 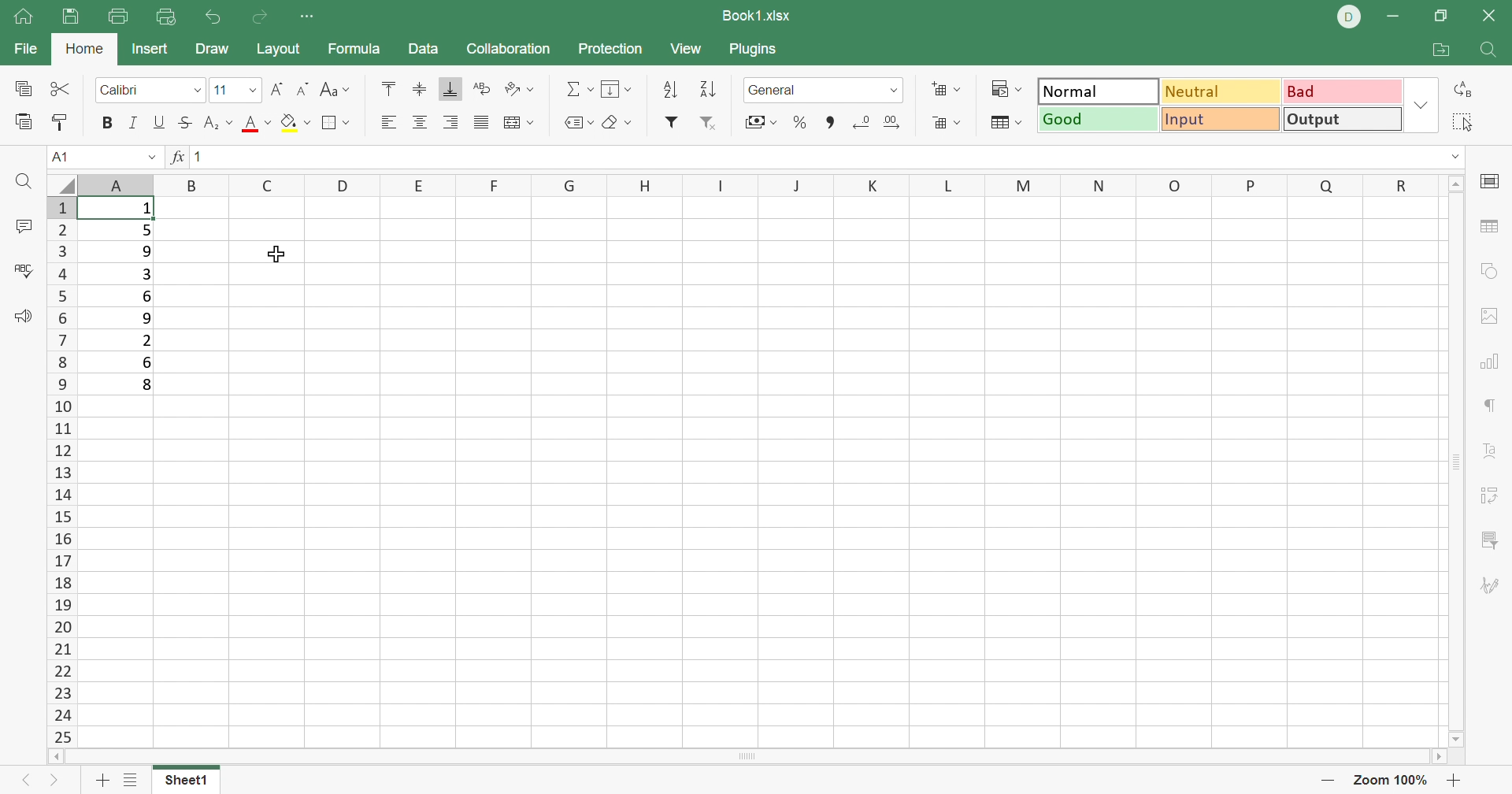 I want to click on Slicer settings, so click(x=1489, y=538).